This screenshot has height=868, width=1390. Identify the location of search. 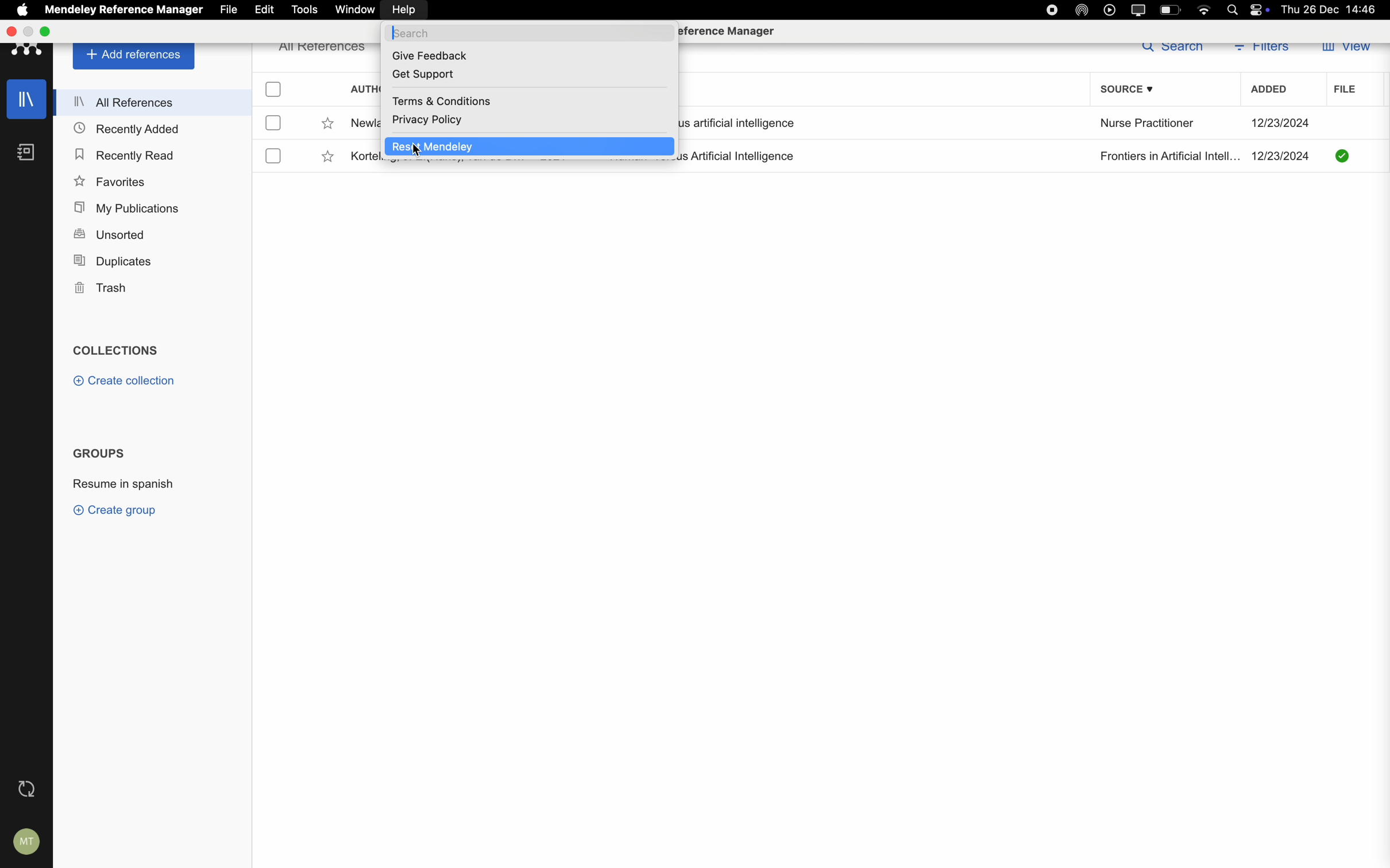
(1171, 49).